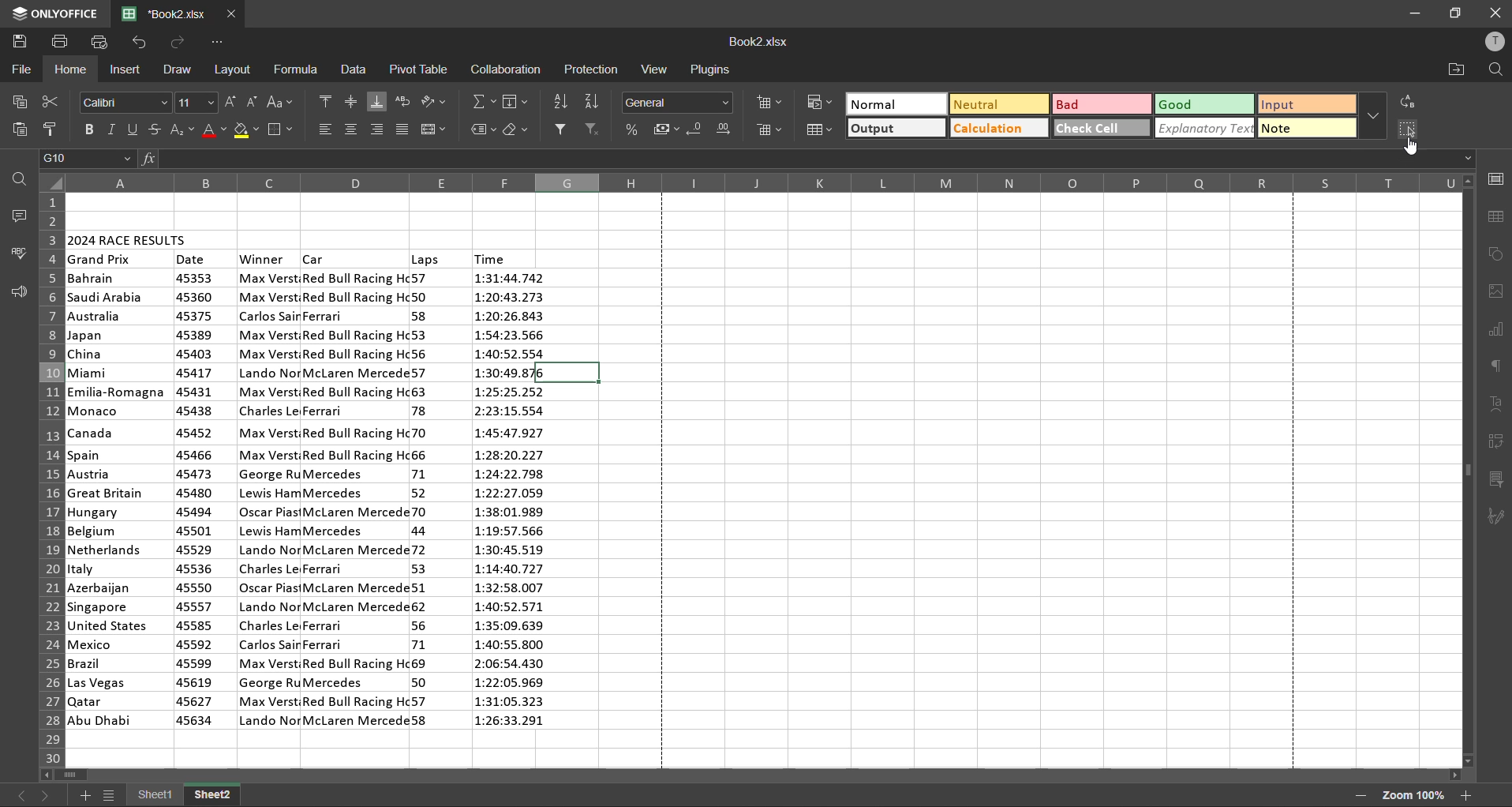 Image resolution: width=1512 pixels, height=807 pixels. What do you see at coordinates (1408, 133) in the screenshot?
I see `select cells` at bounding box center [1408, 133].